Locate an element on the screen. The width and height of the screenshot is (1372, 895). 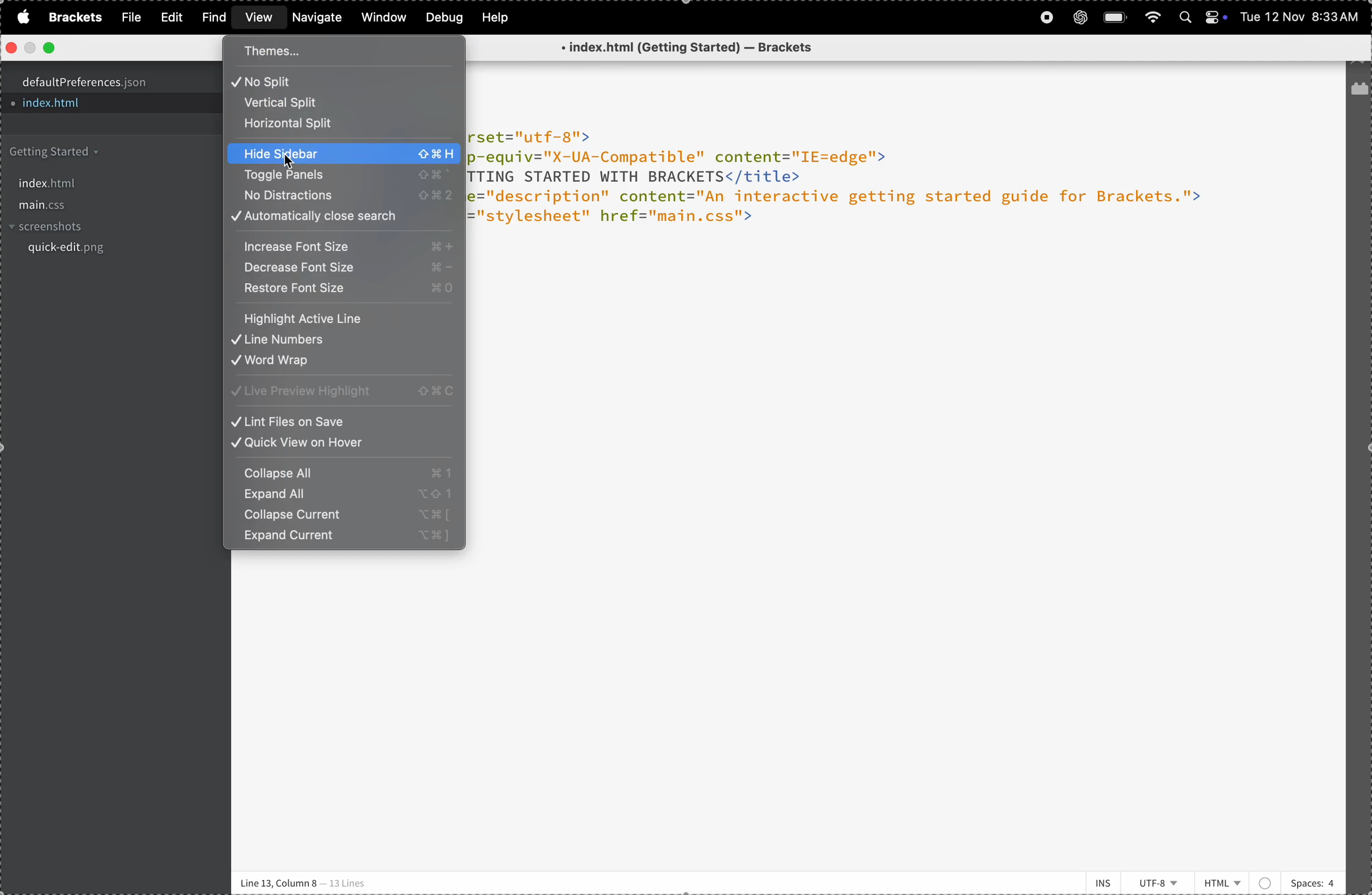
closing window is located at coordinates (12, 48).